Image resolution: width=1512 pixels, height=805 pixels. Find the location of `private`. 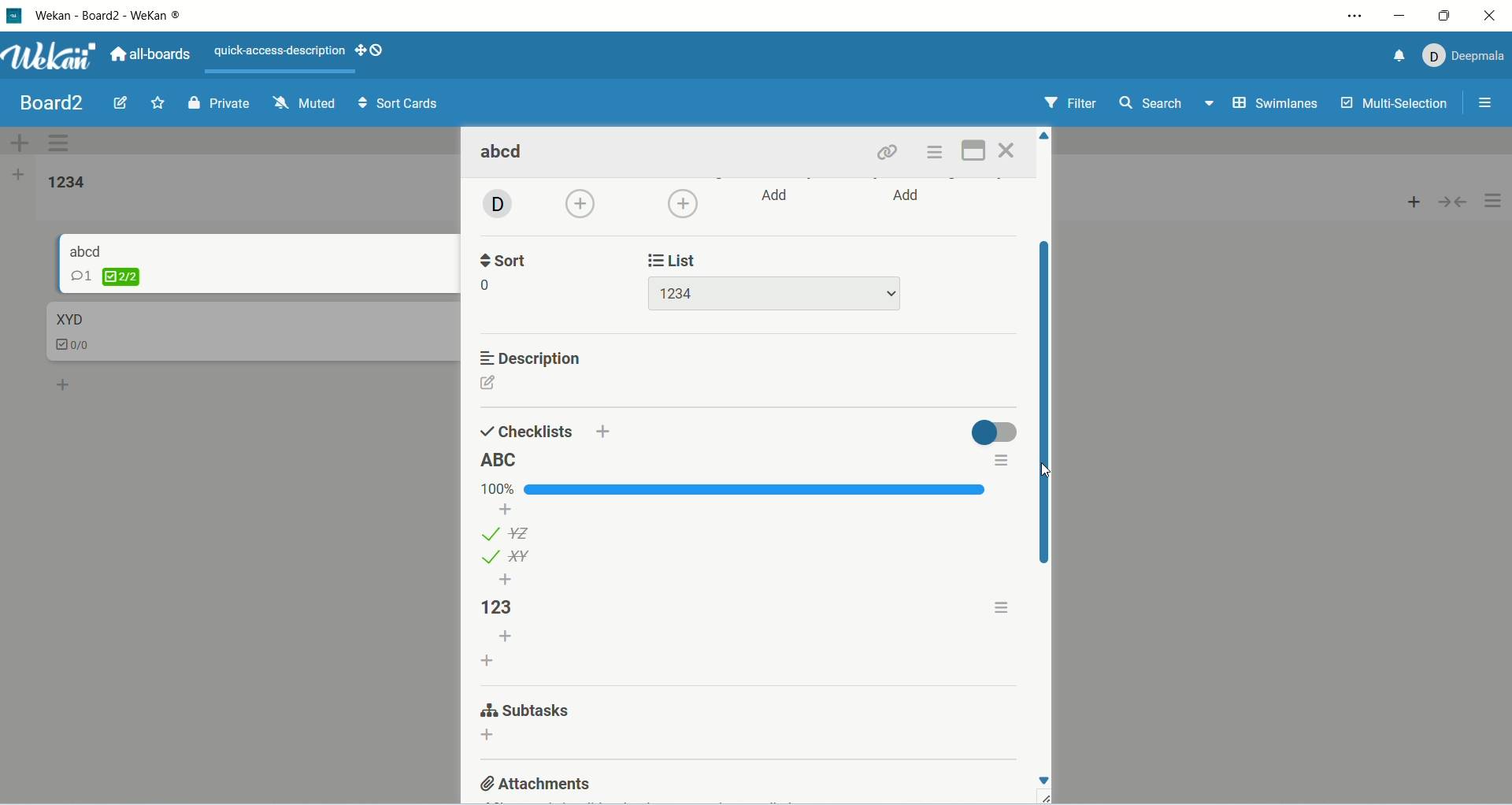

private is located at coordinates (216, 106).